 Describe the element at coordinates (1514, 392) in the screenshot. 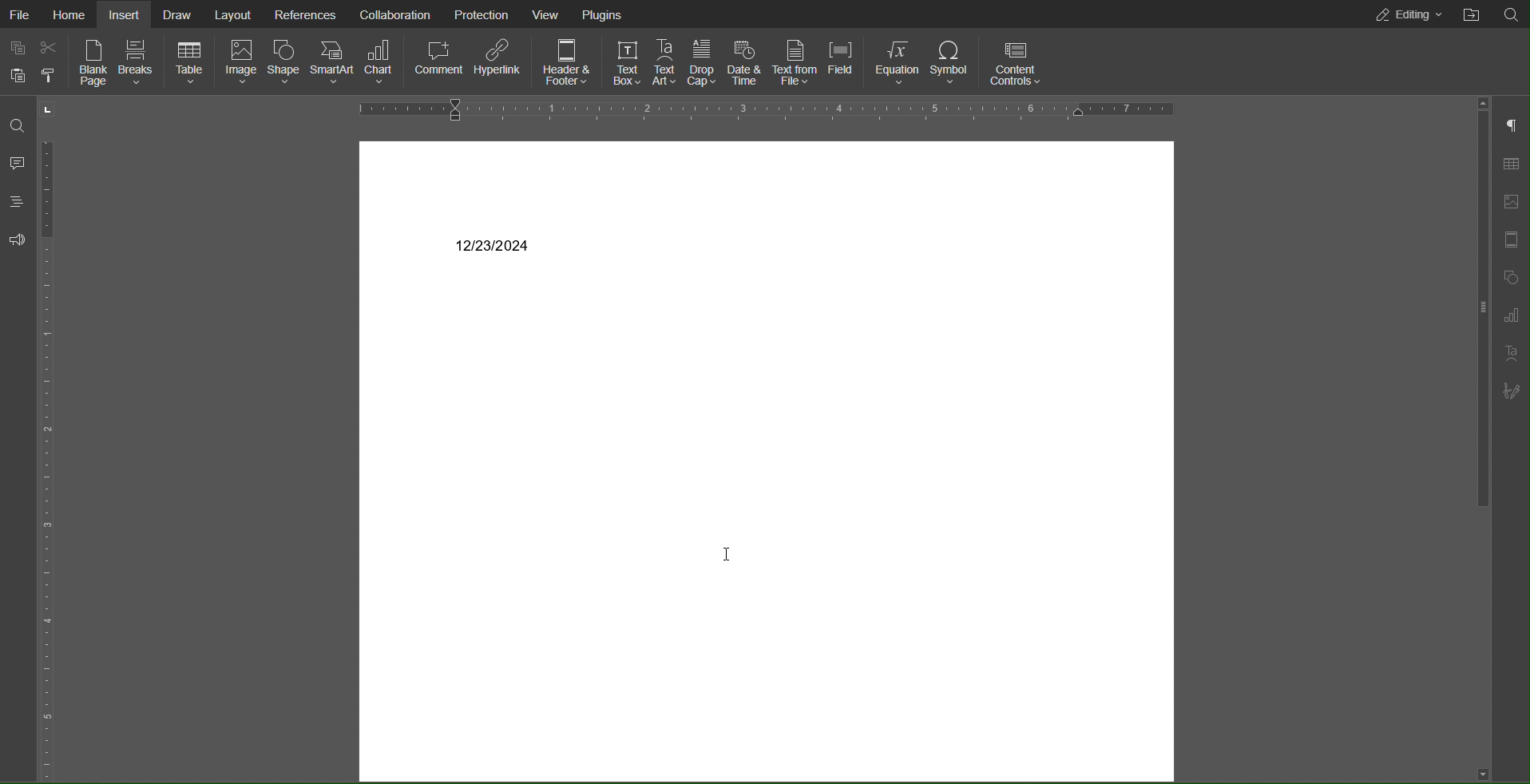

I see `Signature` at that location.